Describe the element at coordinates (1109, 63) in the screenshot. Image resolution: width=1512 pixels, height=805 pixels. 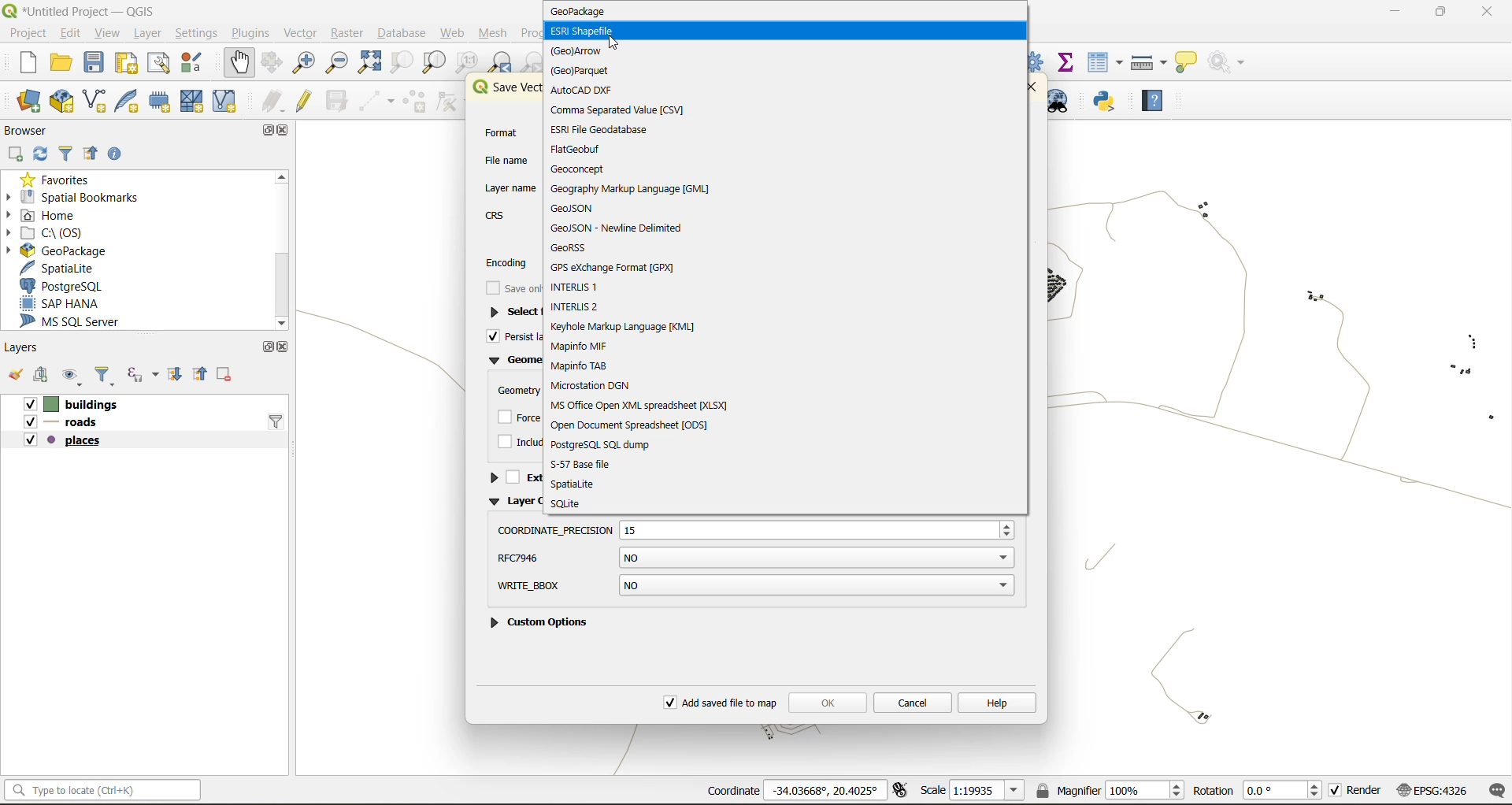
I see `attributes table` at that location.